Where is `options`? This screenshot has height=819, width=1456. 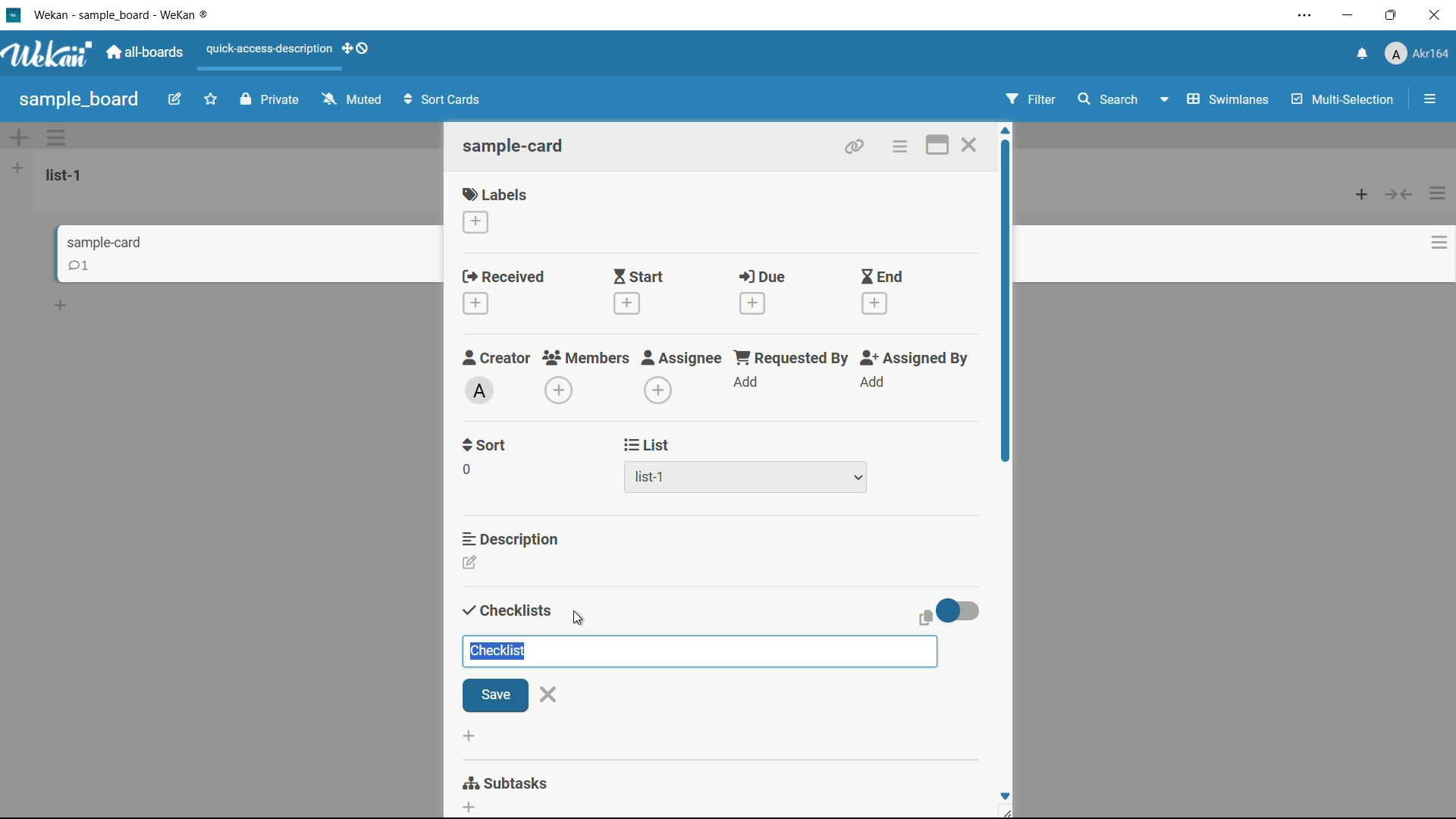 options is located at coordinates (1433, 240).